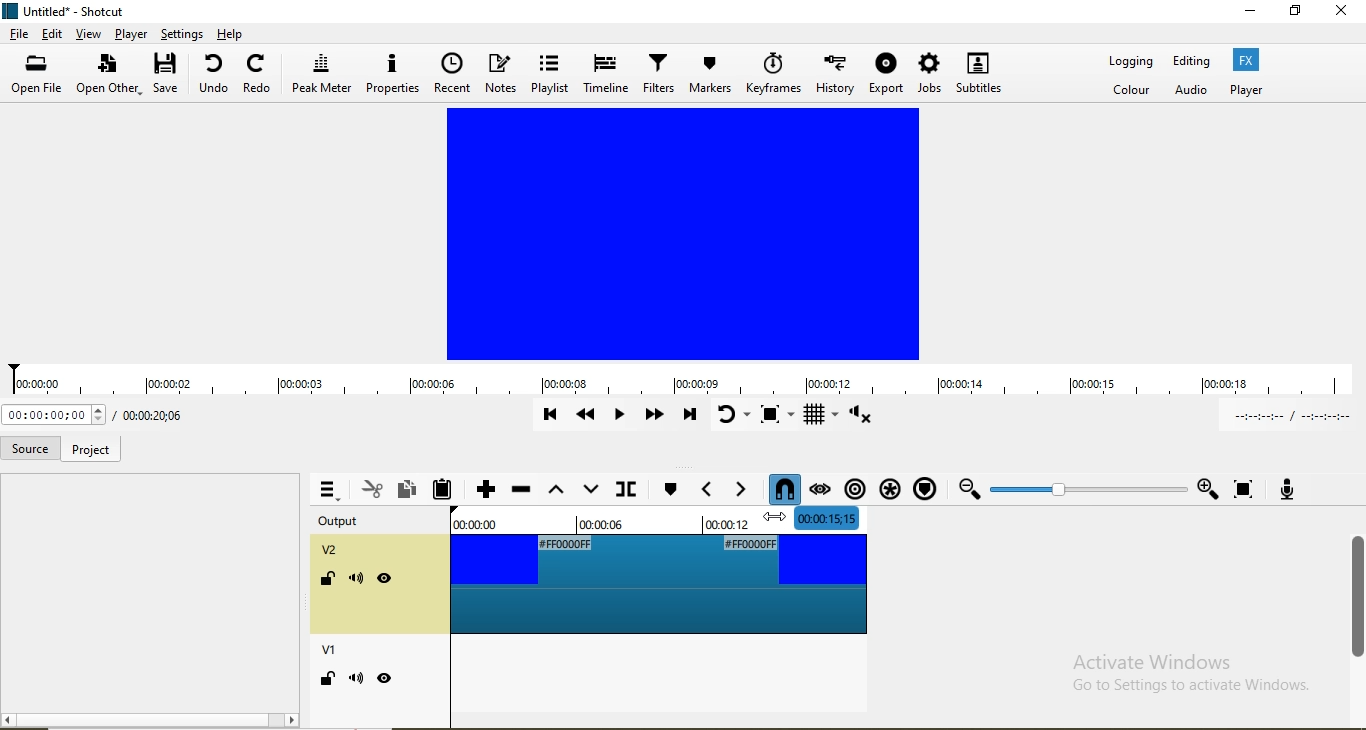 This screenshot has height=730, width=1366. I want to click on playlist, so click(550, 73).